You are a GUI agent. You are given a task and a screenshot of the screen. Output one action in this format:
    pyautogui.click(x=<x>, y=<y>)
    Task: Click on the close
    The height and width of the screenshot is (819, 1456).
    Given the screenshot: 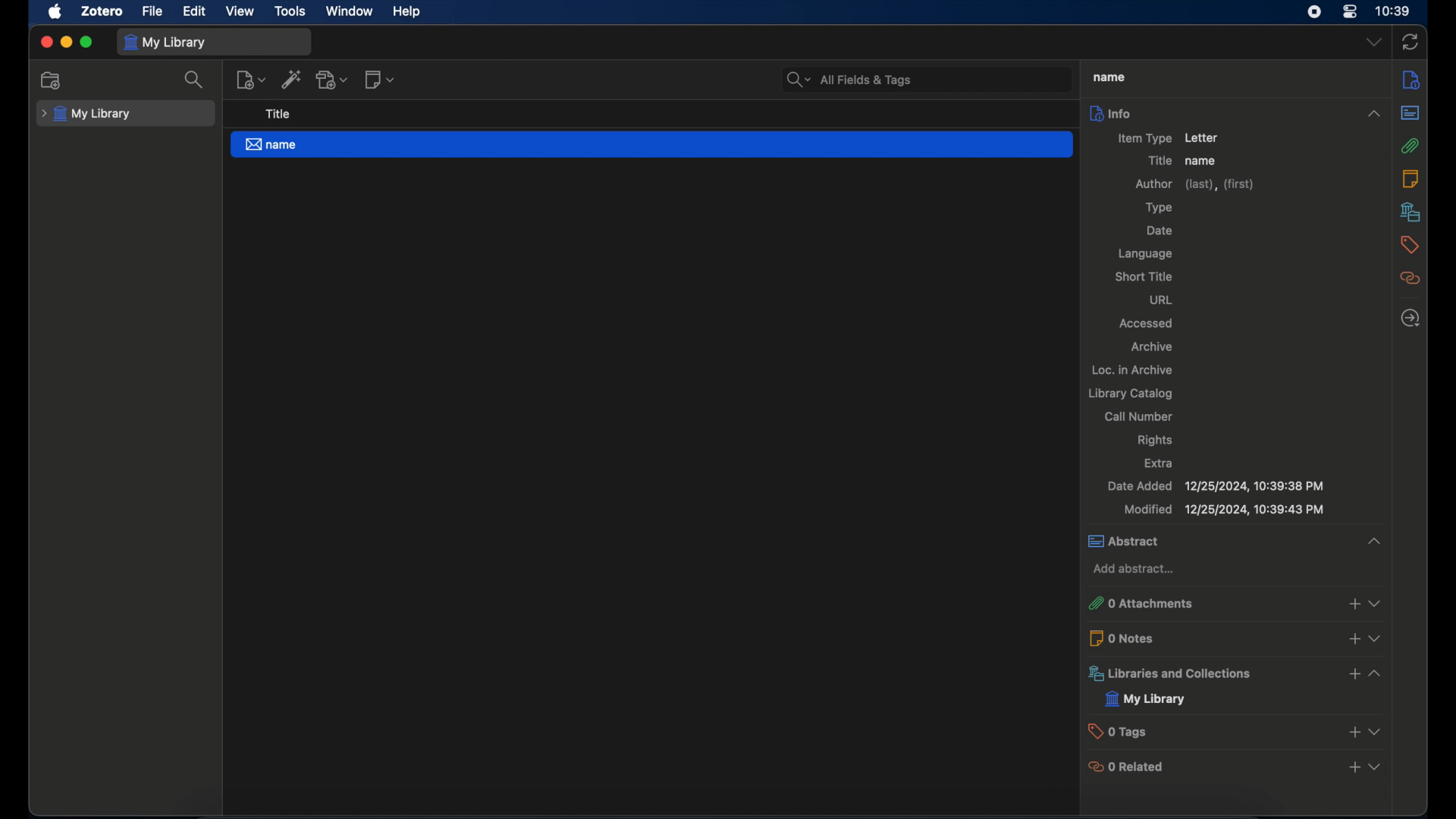 What is the action you would take?
    pyautogui.click(x=45, y=42)
    